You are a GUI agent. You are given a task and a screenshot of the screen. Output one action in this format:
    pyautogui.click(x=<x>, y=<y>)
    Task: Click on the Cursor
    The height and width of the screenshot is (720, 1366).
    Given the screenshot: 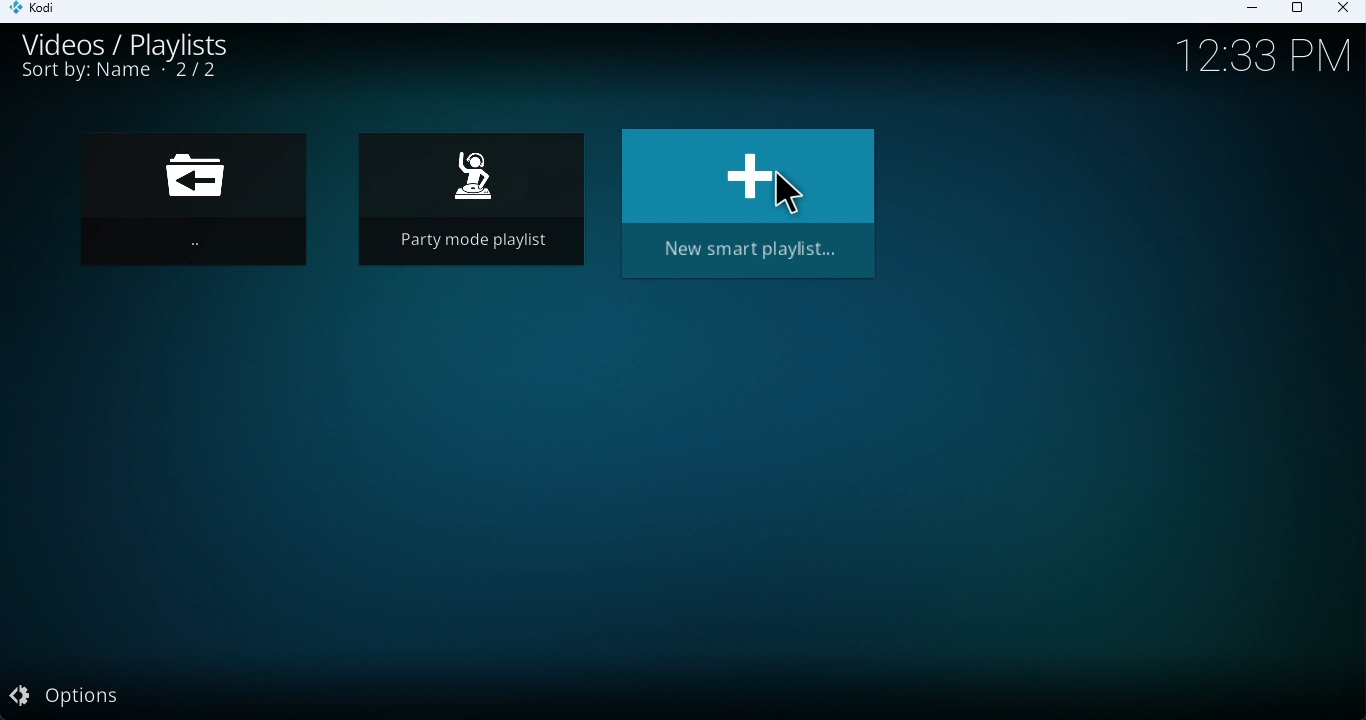 What is the action you would take?
    pyautogui.click(x=788, y=196)
    